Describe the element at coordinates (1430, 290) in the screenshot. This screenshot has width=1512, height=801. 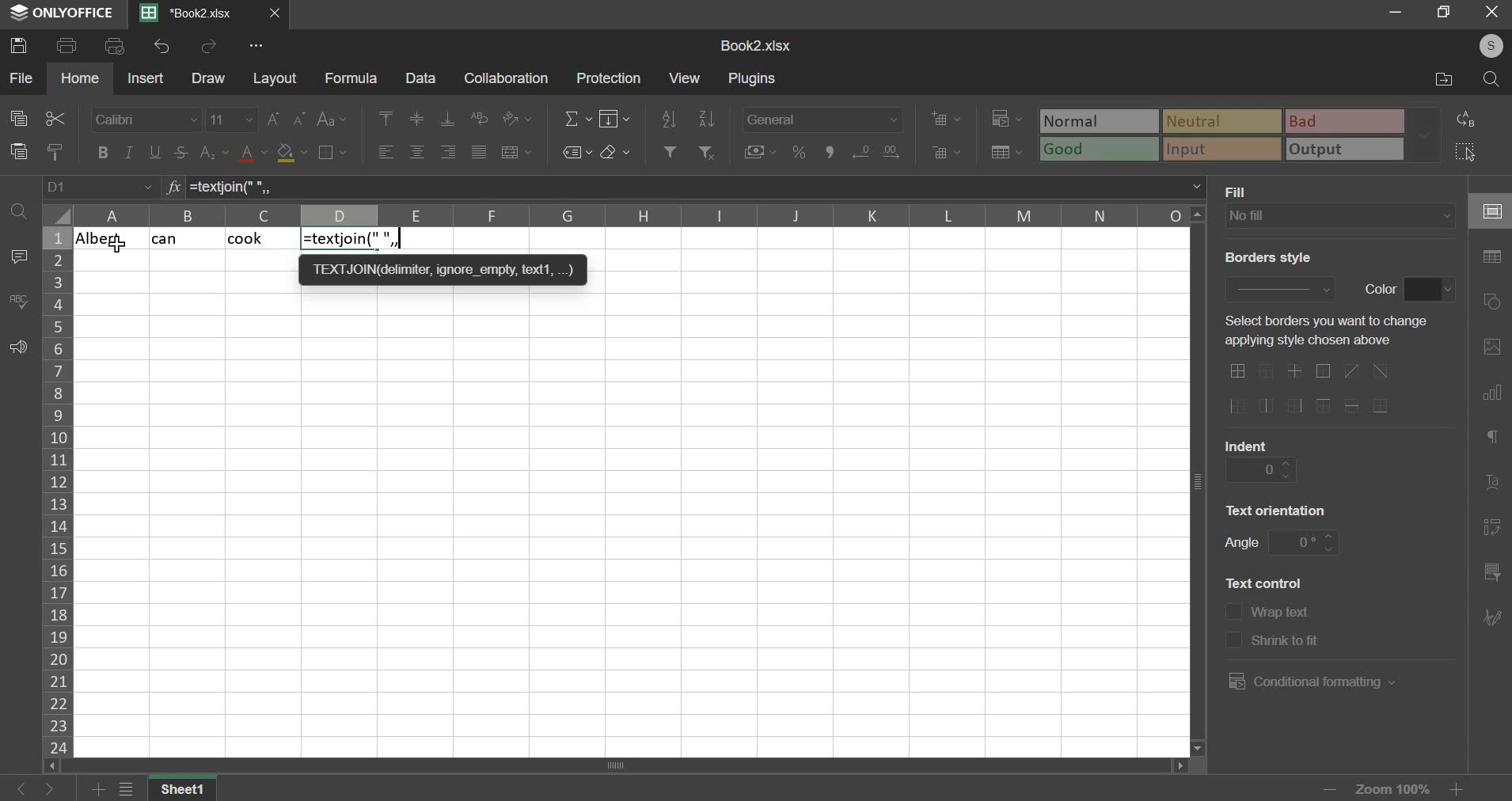
I see `border color` at that location.